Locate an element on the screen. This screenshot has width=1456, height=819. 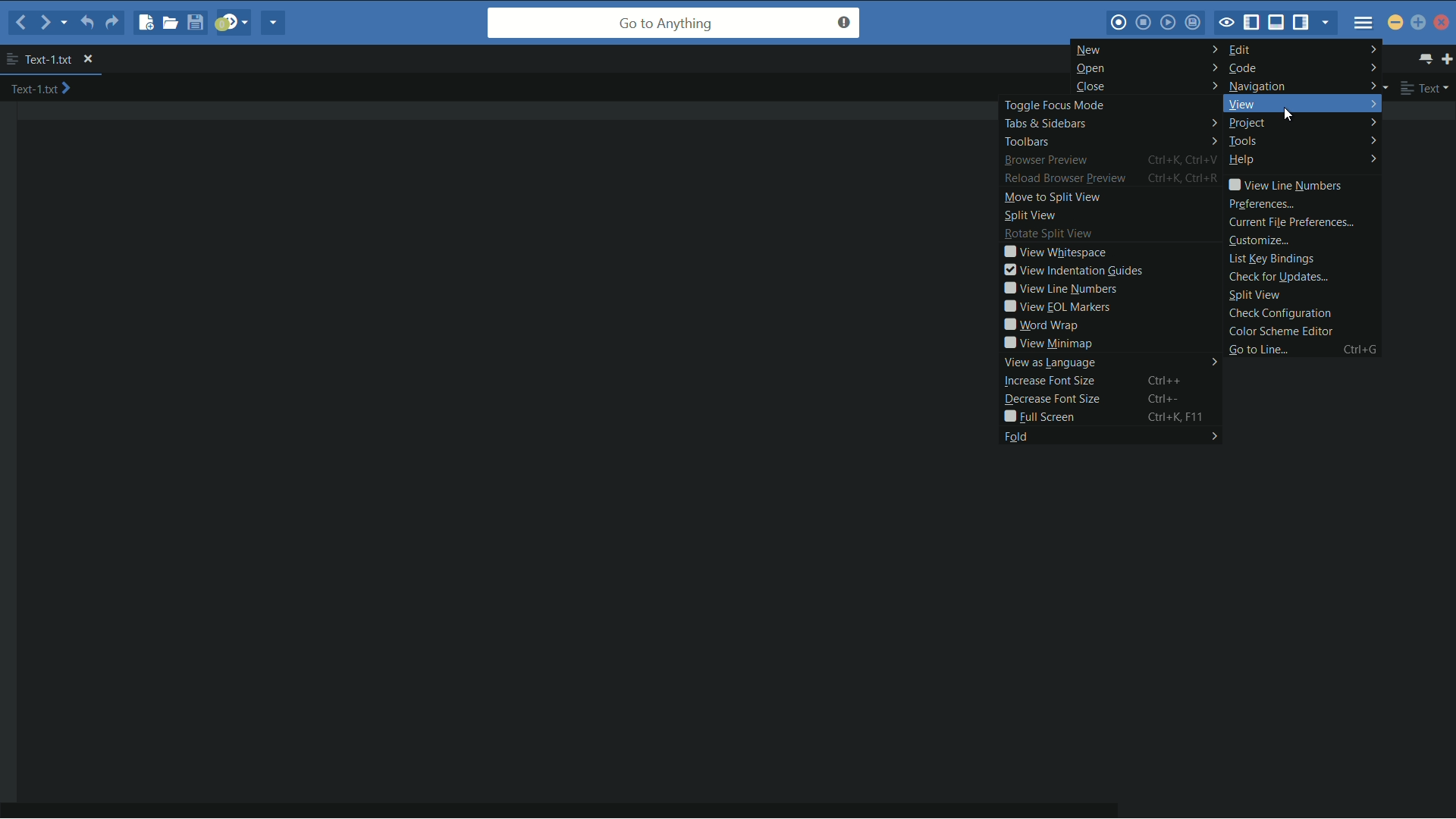
text-1.txt is located at coordinates (42, 59).